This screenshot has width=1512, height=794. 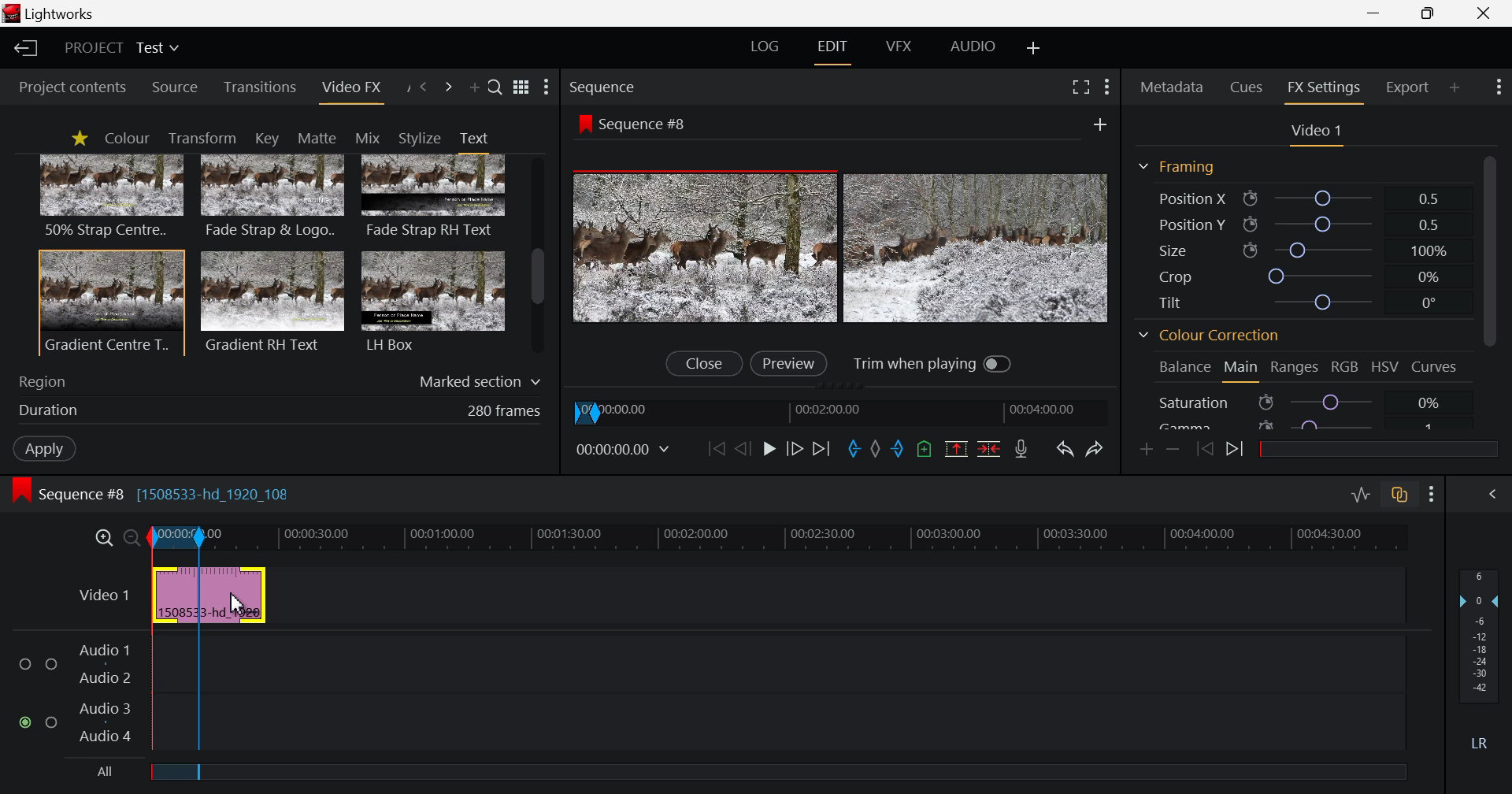 What do you see at coordinates (1173, 84) in the screenshot?
I see `Metadata` at bounding box center [1173, 84].